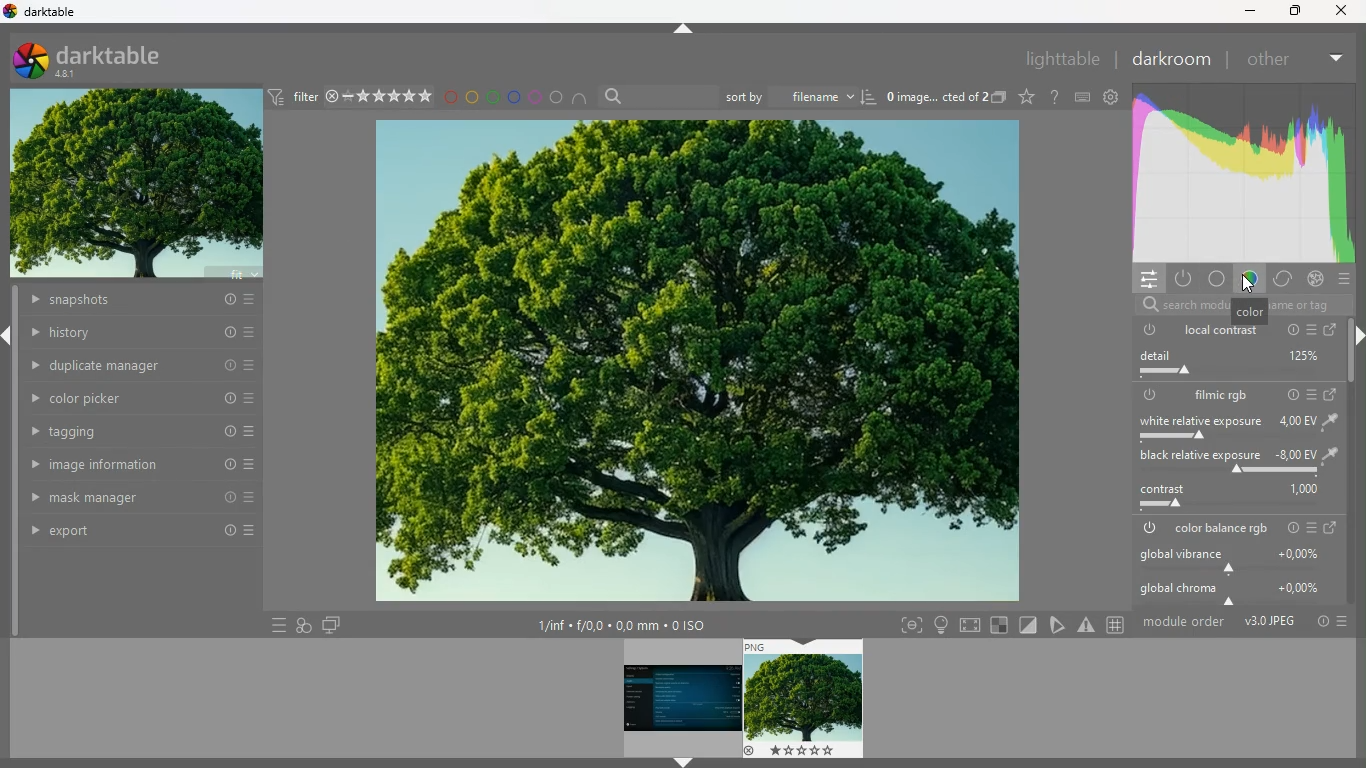  I want to click on power, so click(1147, 330).